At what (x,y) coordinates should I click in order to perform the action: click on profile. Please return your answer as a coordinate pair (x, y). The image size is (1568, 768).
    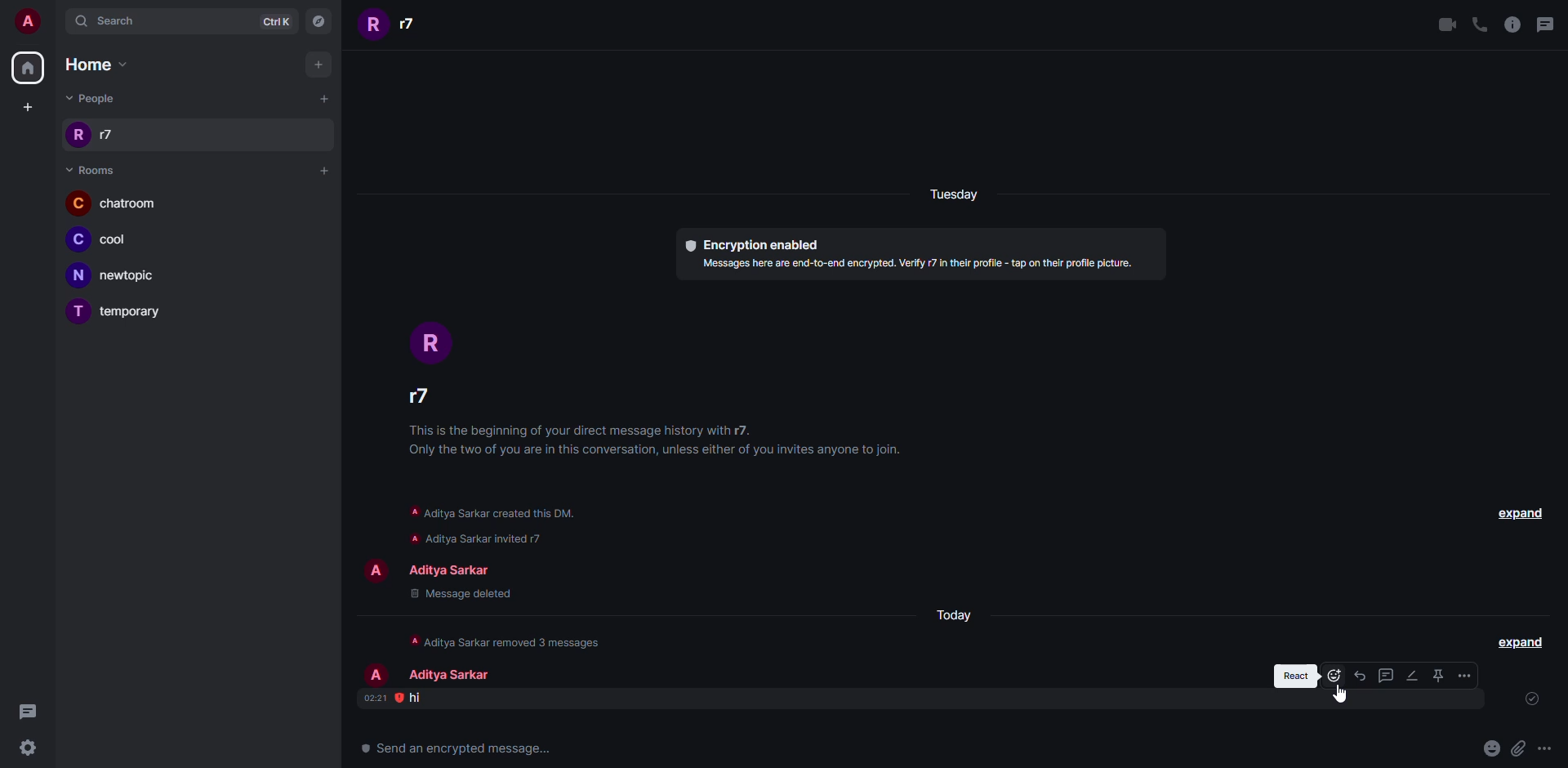
    Looking at the image, I should click on (376, 570).